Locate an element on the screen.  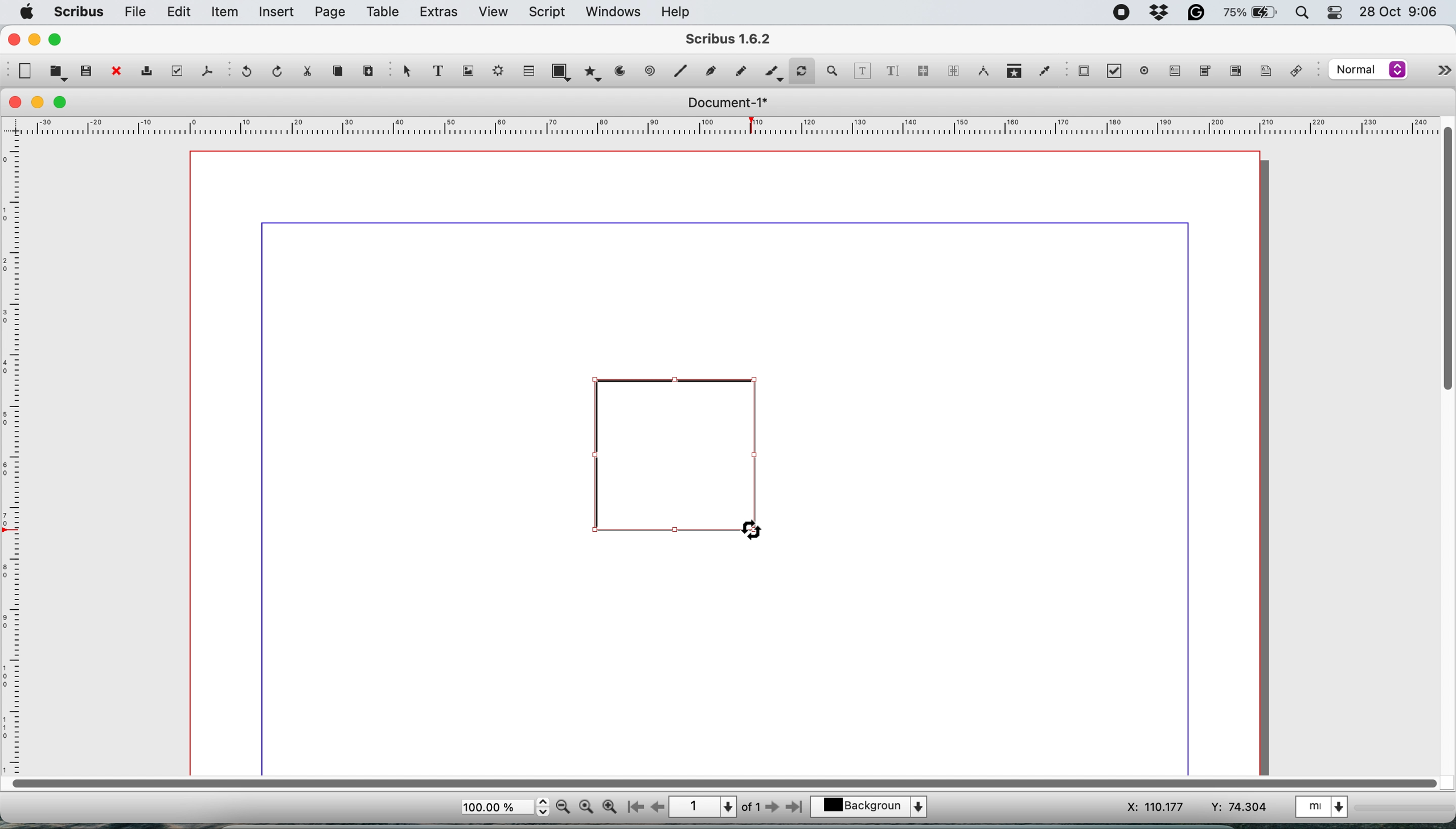
scribus is located at coordinates (79, 12).